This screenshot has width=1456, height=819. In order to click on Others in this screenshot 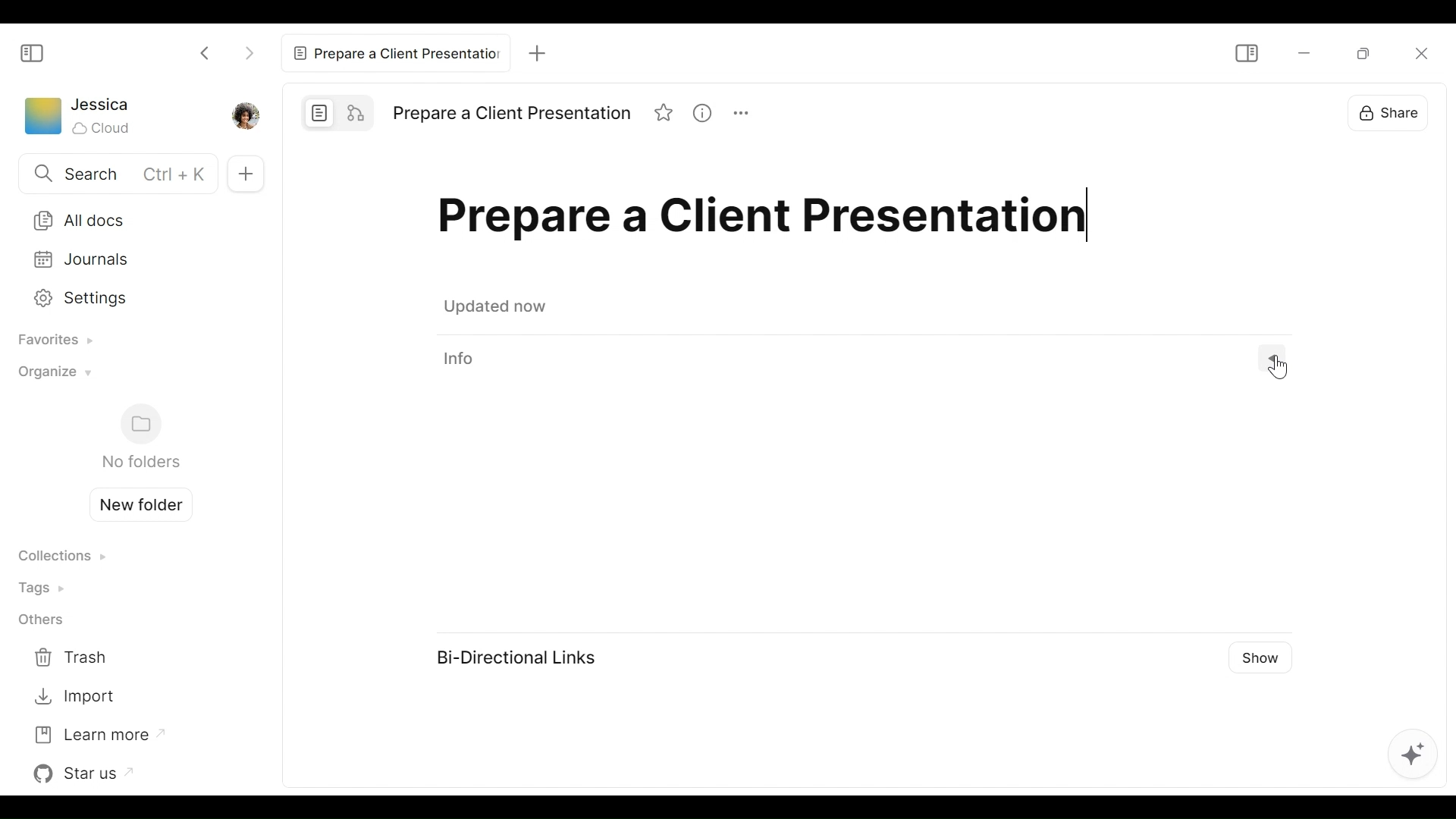, I will do `click(40, 621)`.